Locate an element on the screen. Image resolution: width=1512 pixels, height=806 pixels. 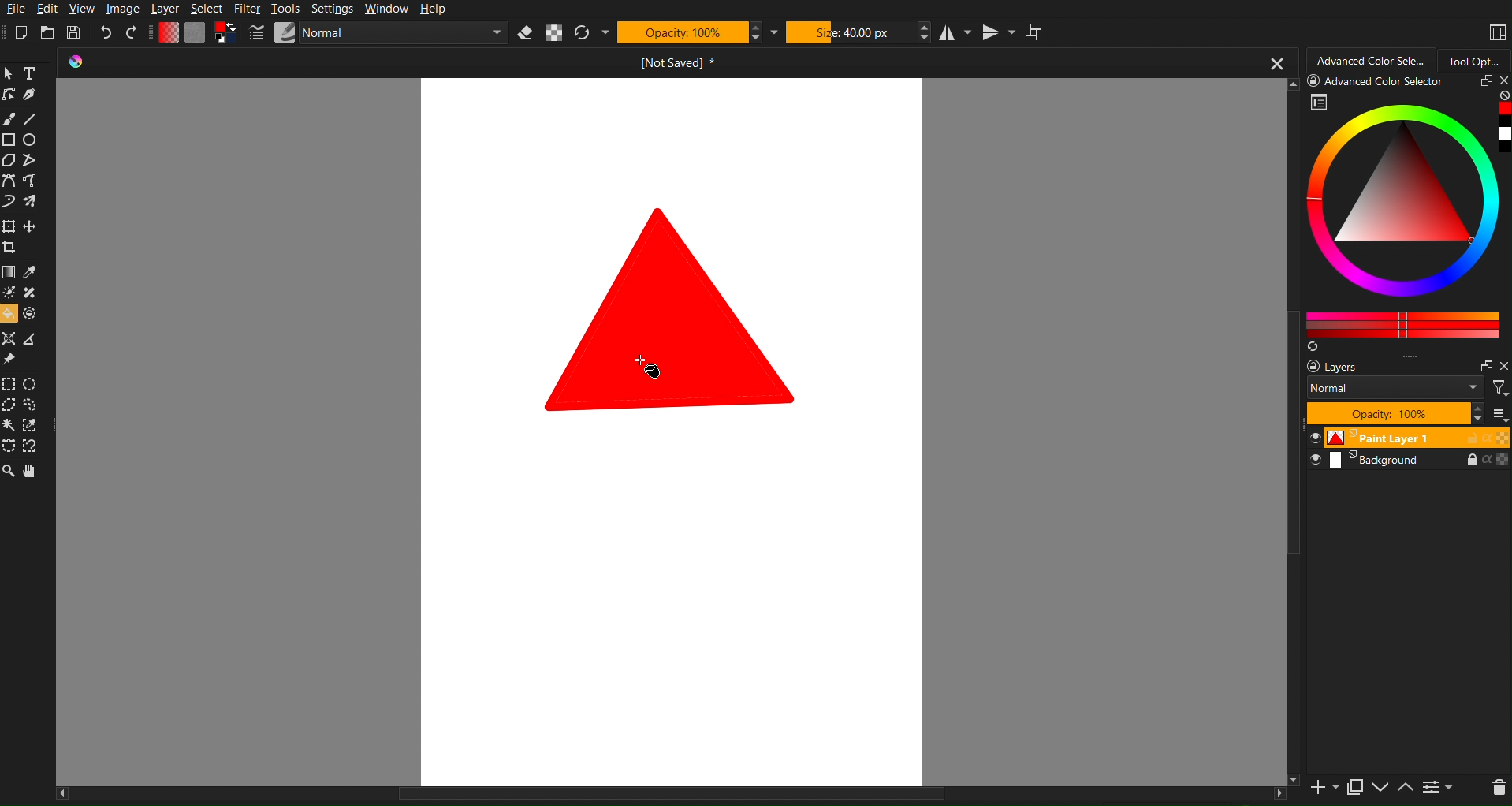
Erase is located at coordinates (525, 33).